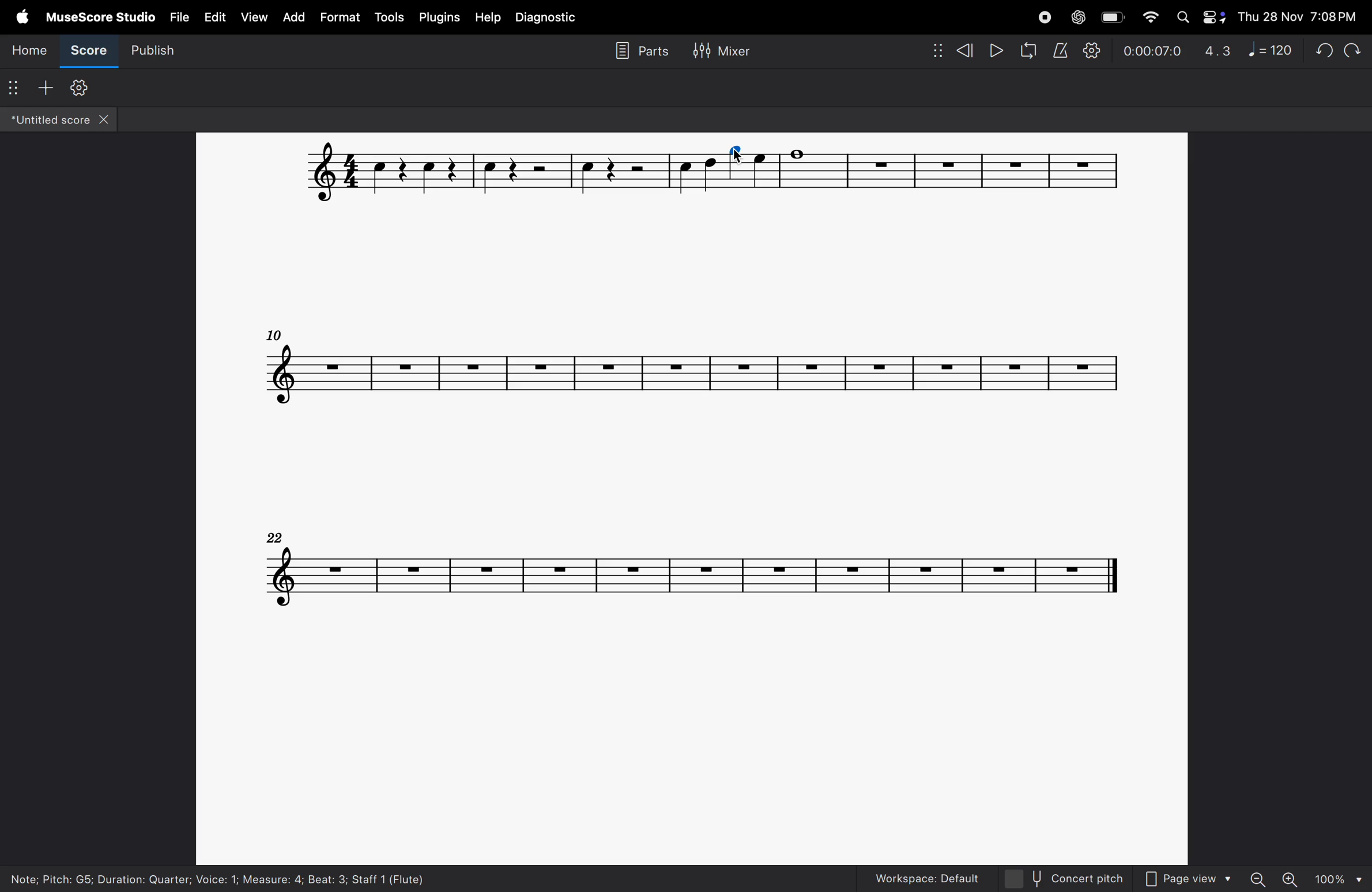  Describe the element at coordinates (1273, 878) in the screenshot. I see `zoom in zoom out` at that location.